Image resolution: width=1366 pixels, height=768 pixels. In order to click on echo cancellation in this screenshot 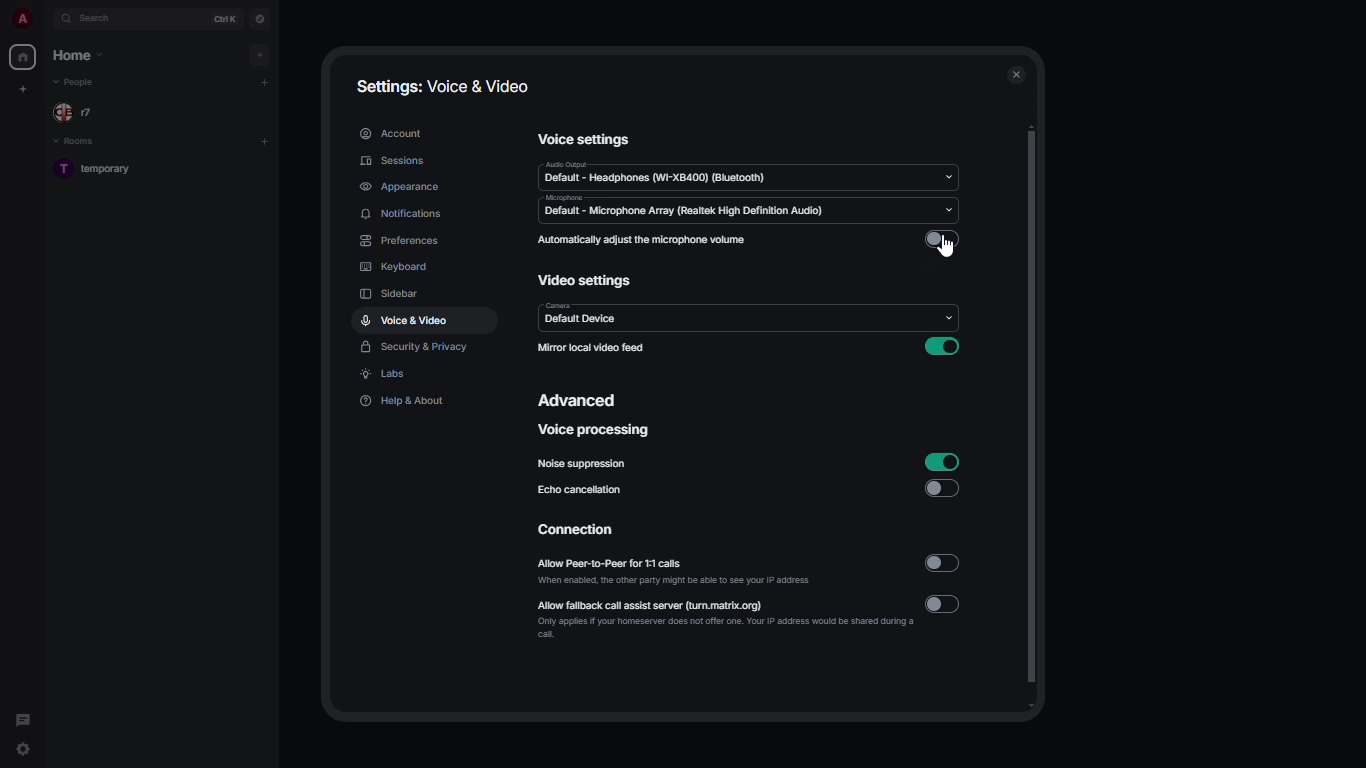, I will do `click(579, 492)`.